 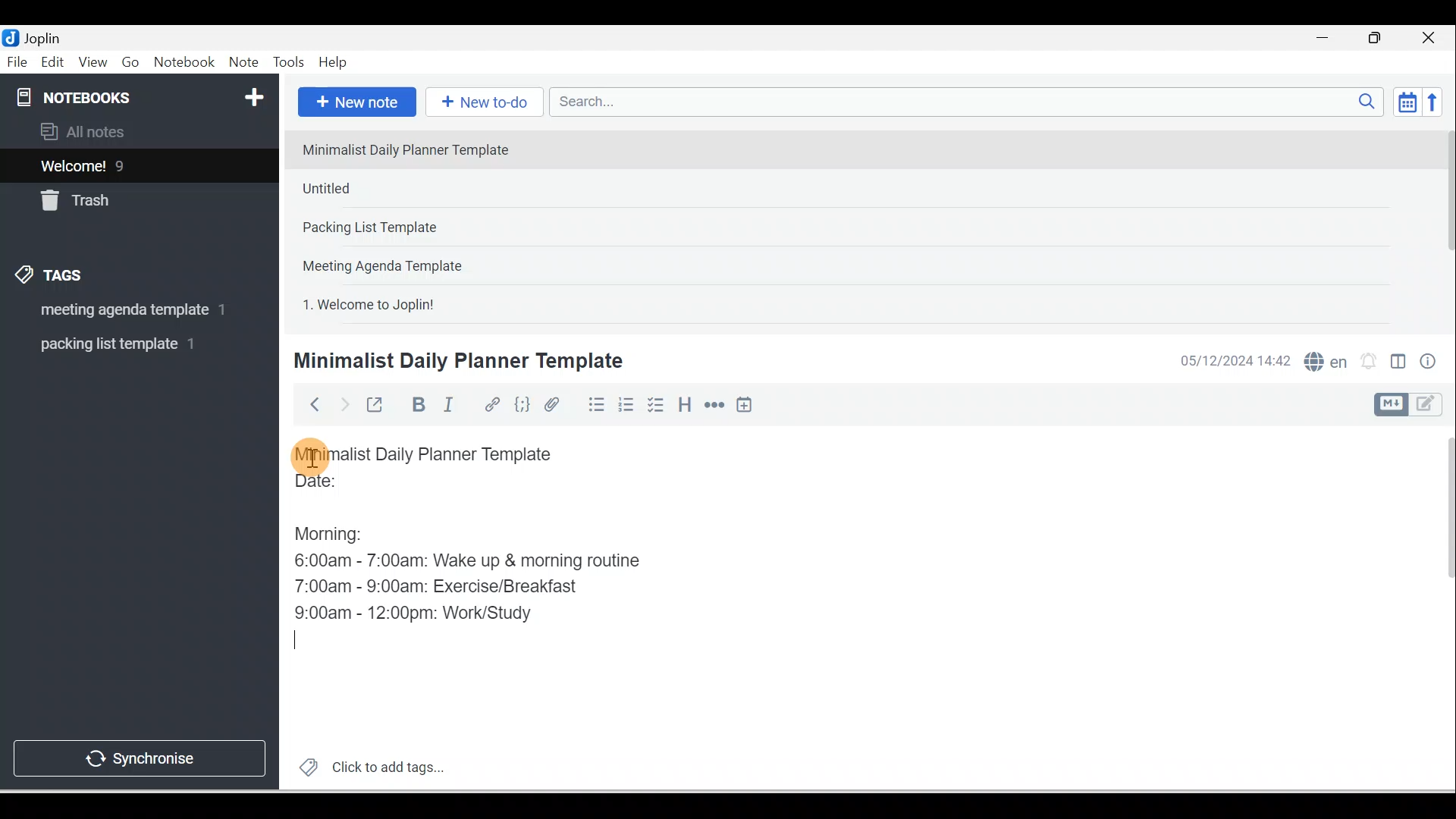 I want to click on Tag 2, so click(x=128, y=344).